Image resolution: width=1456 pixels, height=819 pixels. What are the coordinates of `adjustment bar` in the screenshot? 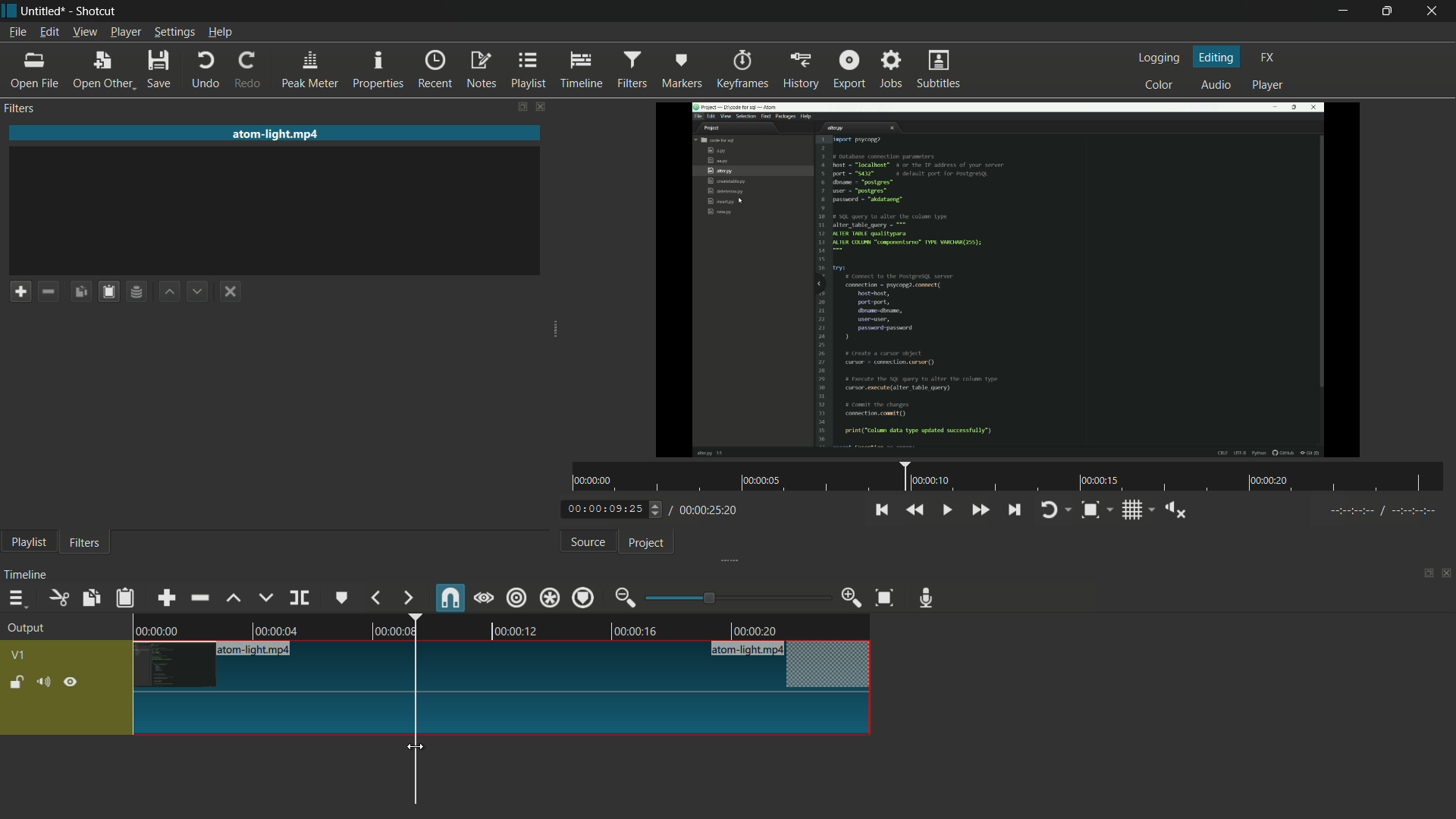 It's located at (736, 598).